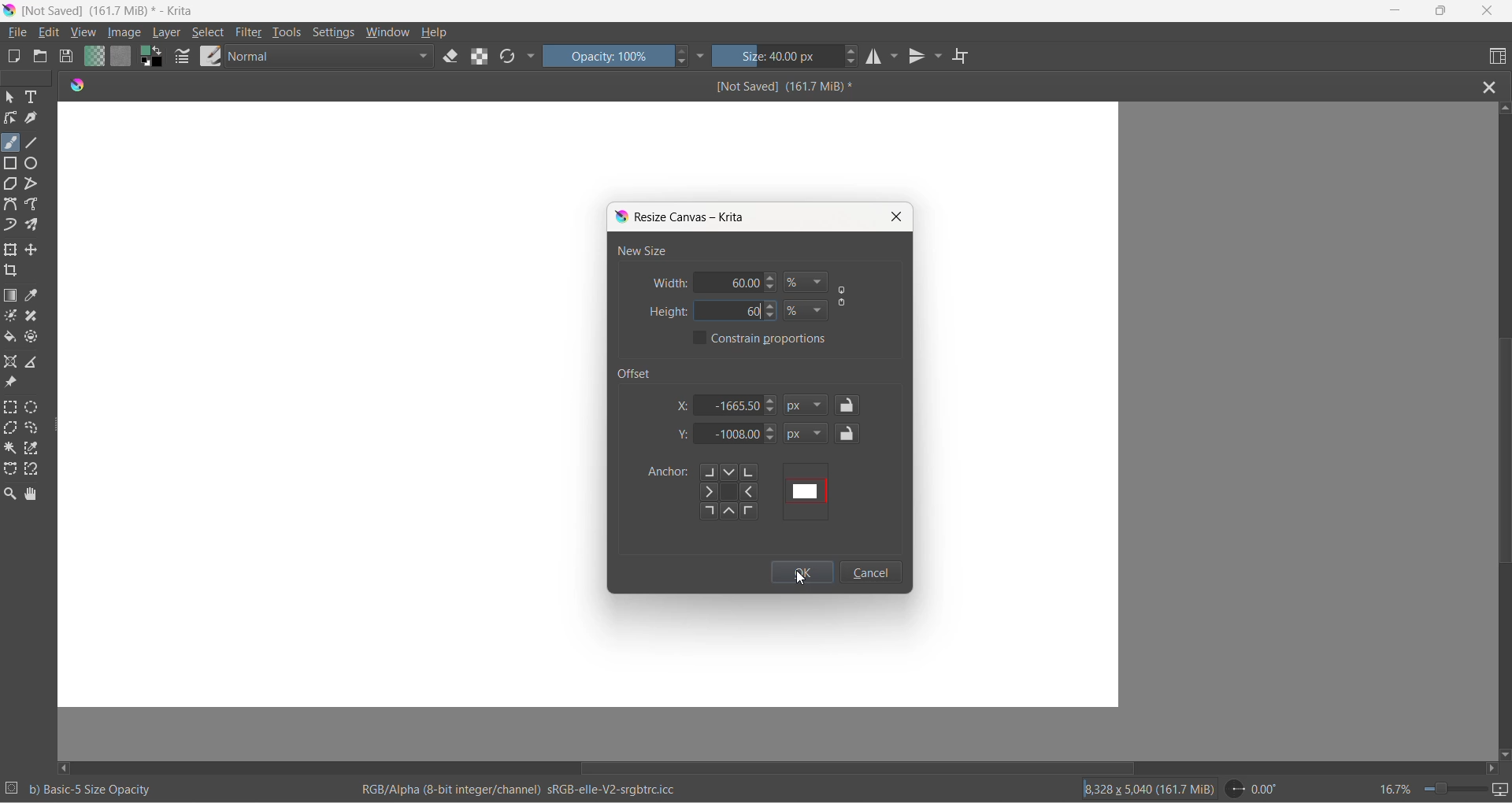 This screenshot has height=803, width=1512. I want to click on rotation, so click(1258, 789).